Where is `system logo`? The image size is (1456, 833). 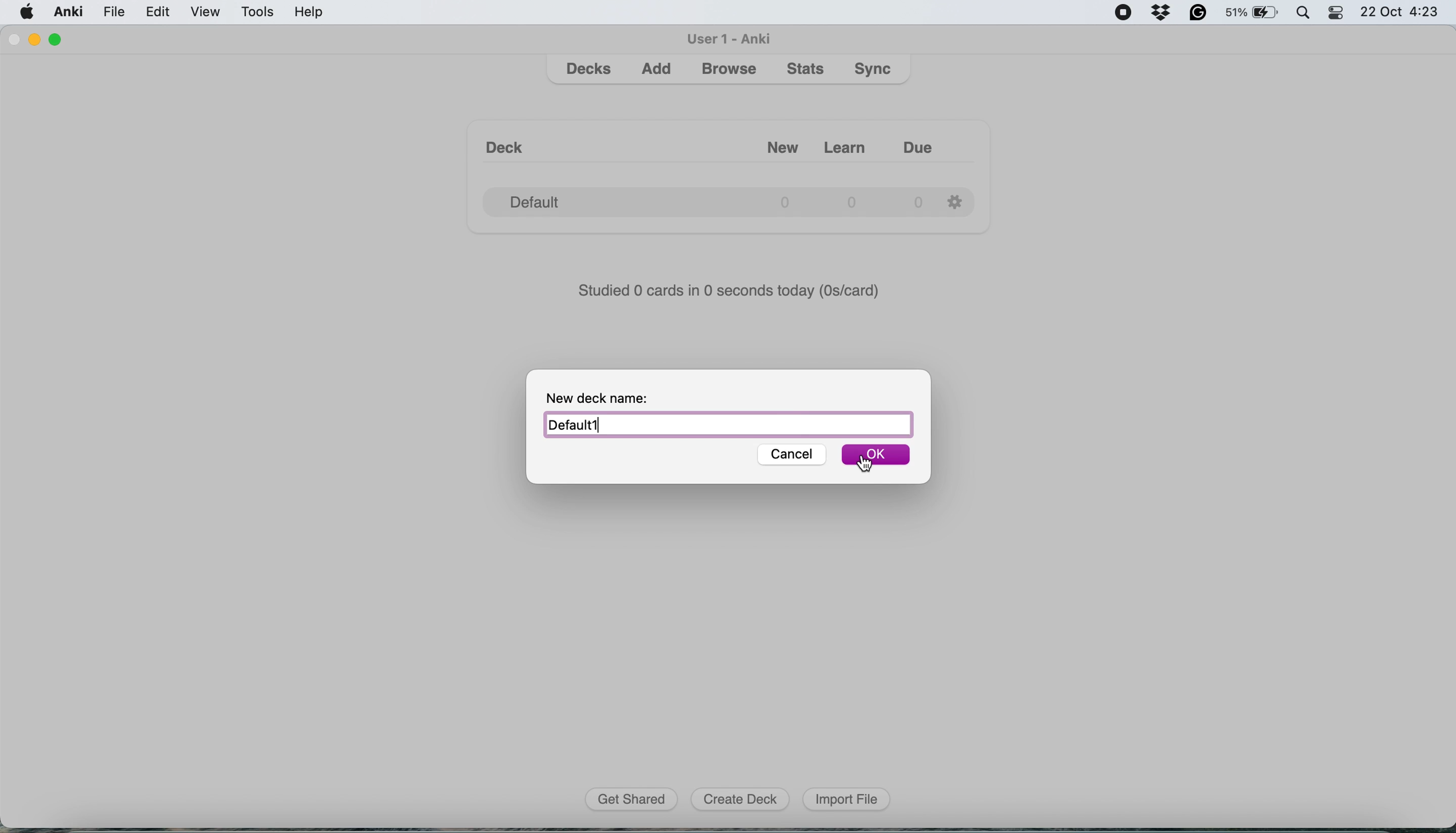
system logo is located at coordinates (27, 13).